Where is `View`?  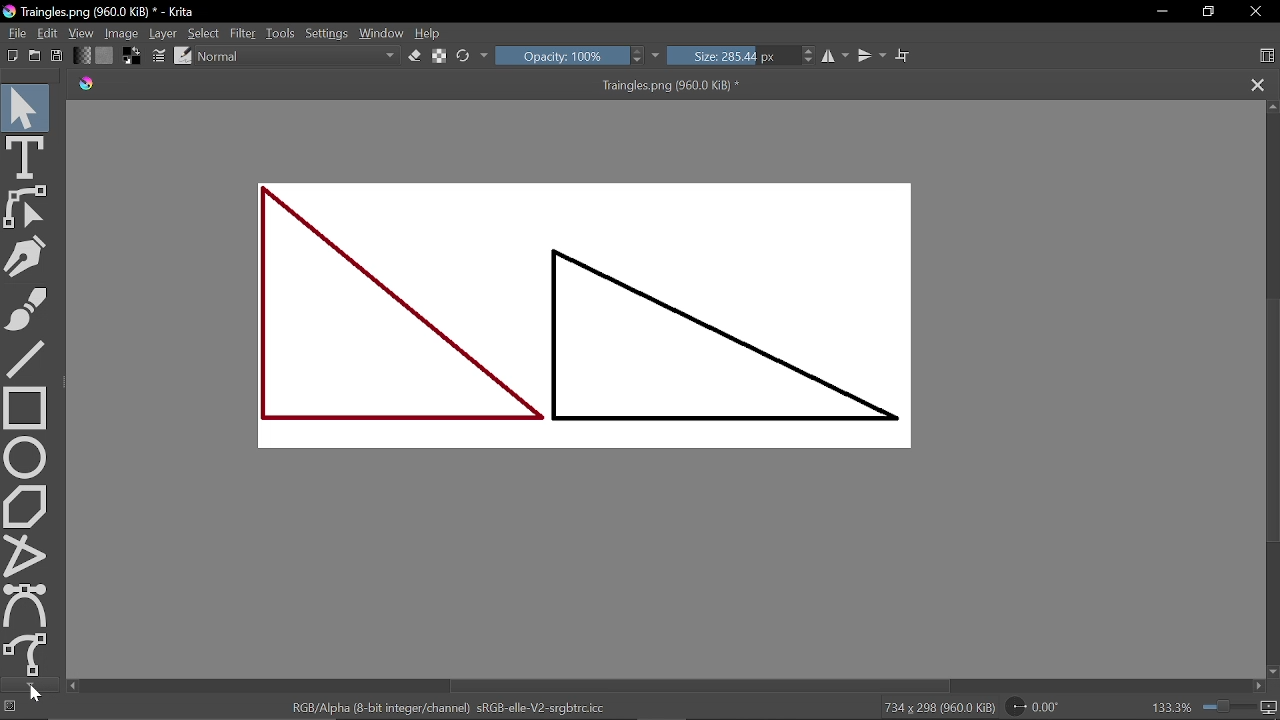 View is located at coordinates (82, 33).